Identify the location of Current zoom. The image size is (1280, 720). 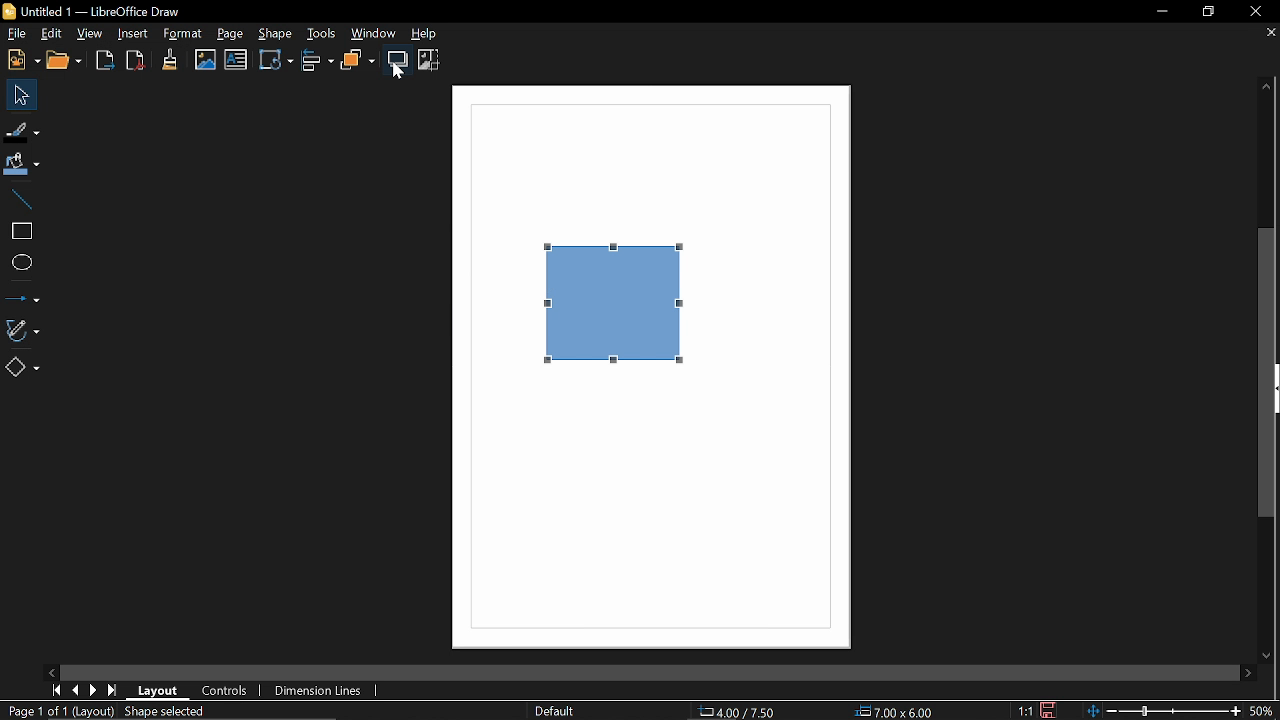
(1165, 712).